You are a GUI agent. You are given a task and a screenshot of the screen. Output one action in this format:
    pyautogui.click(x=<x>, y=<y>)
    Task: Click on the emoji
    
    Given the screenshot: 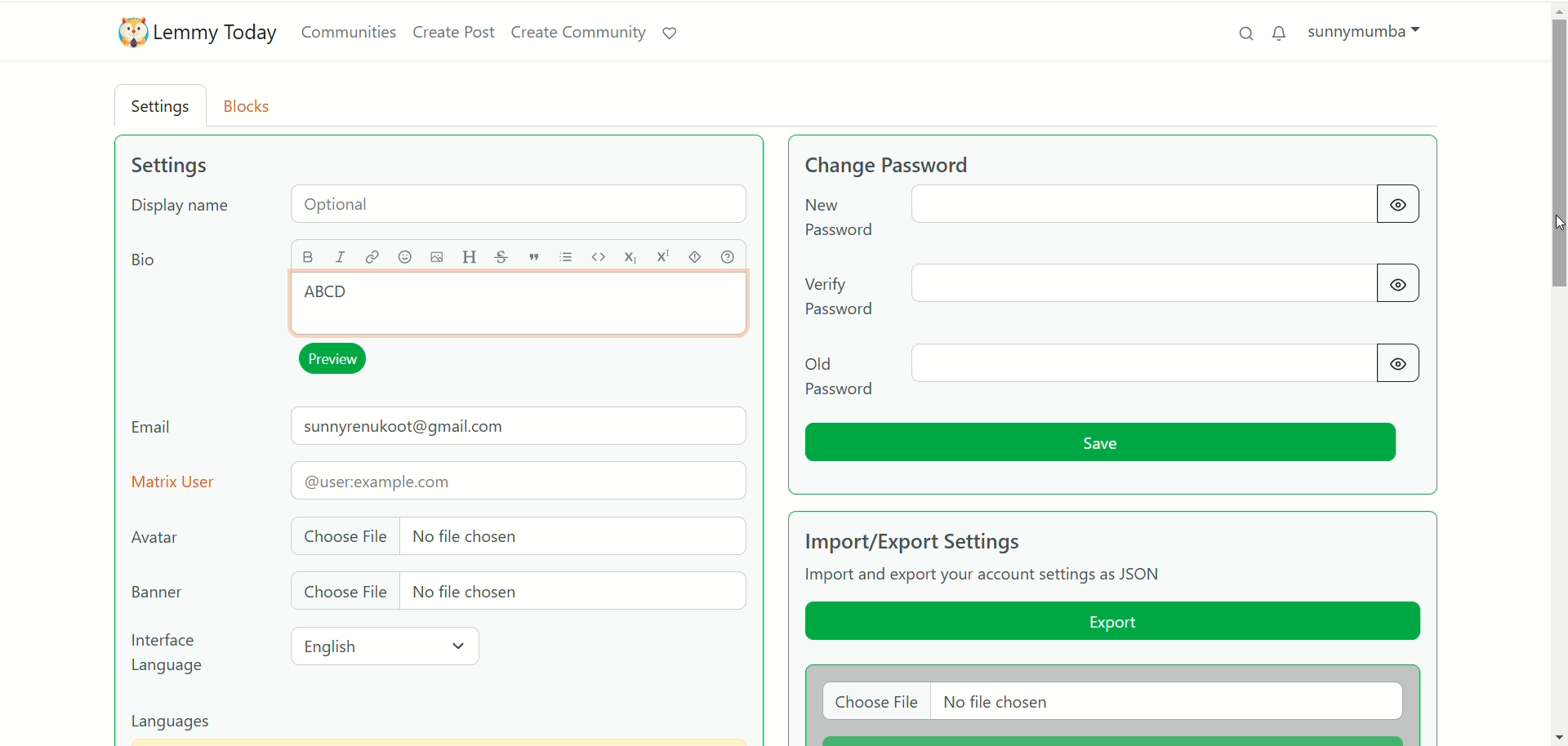 What is the action you would take?
    pyautogui.click(x=404, y=259)
    